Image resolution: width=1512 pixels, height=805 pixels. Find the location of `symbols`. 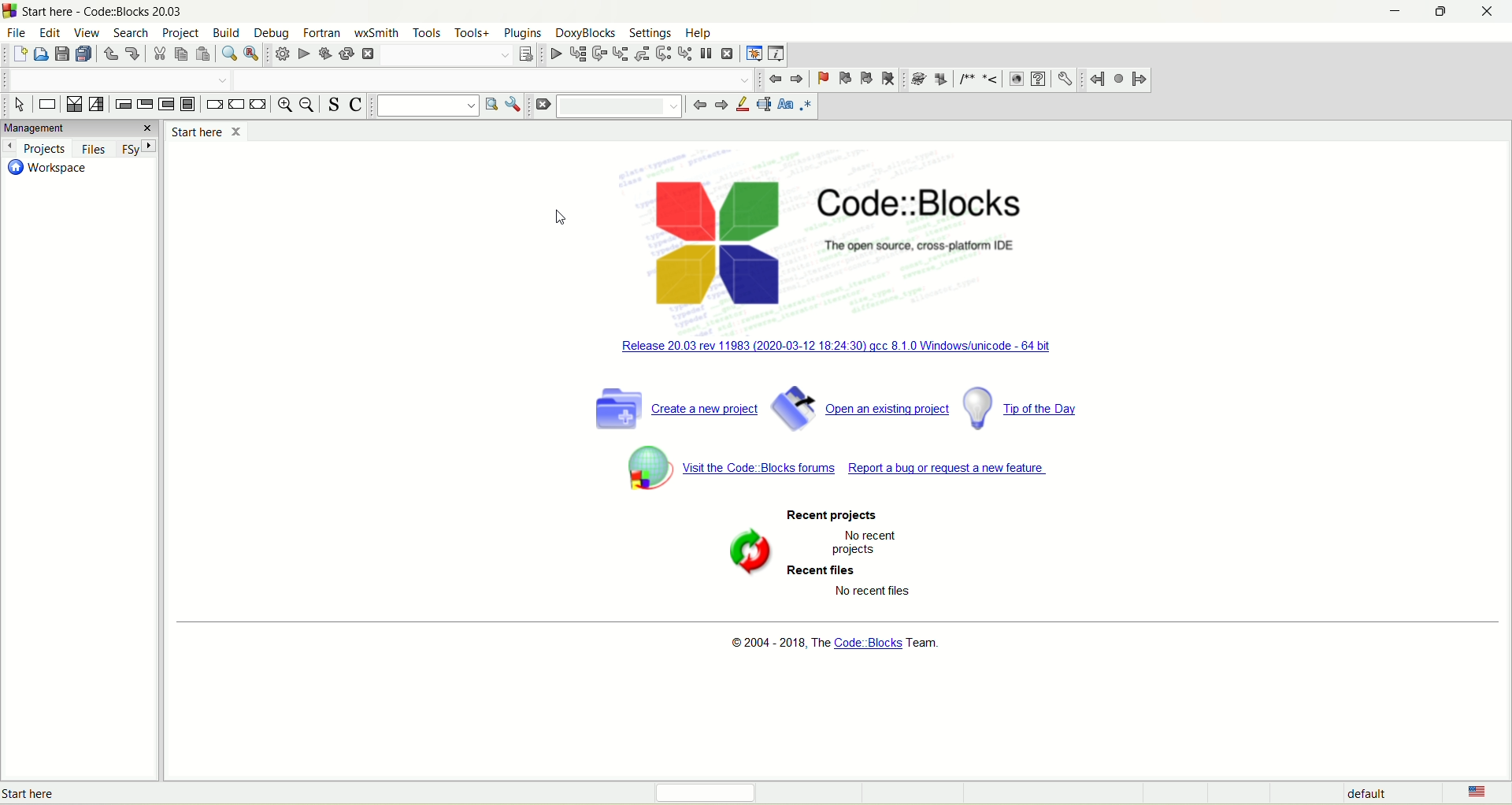

symbols is located at coordinates (955, 79).